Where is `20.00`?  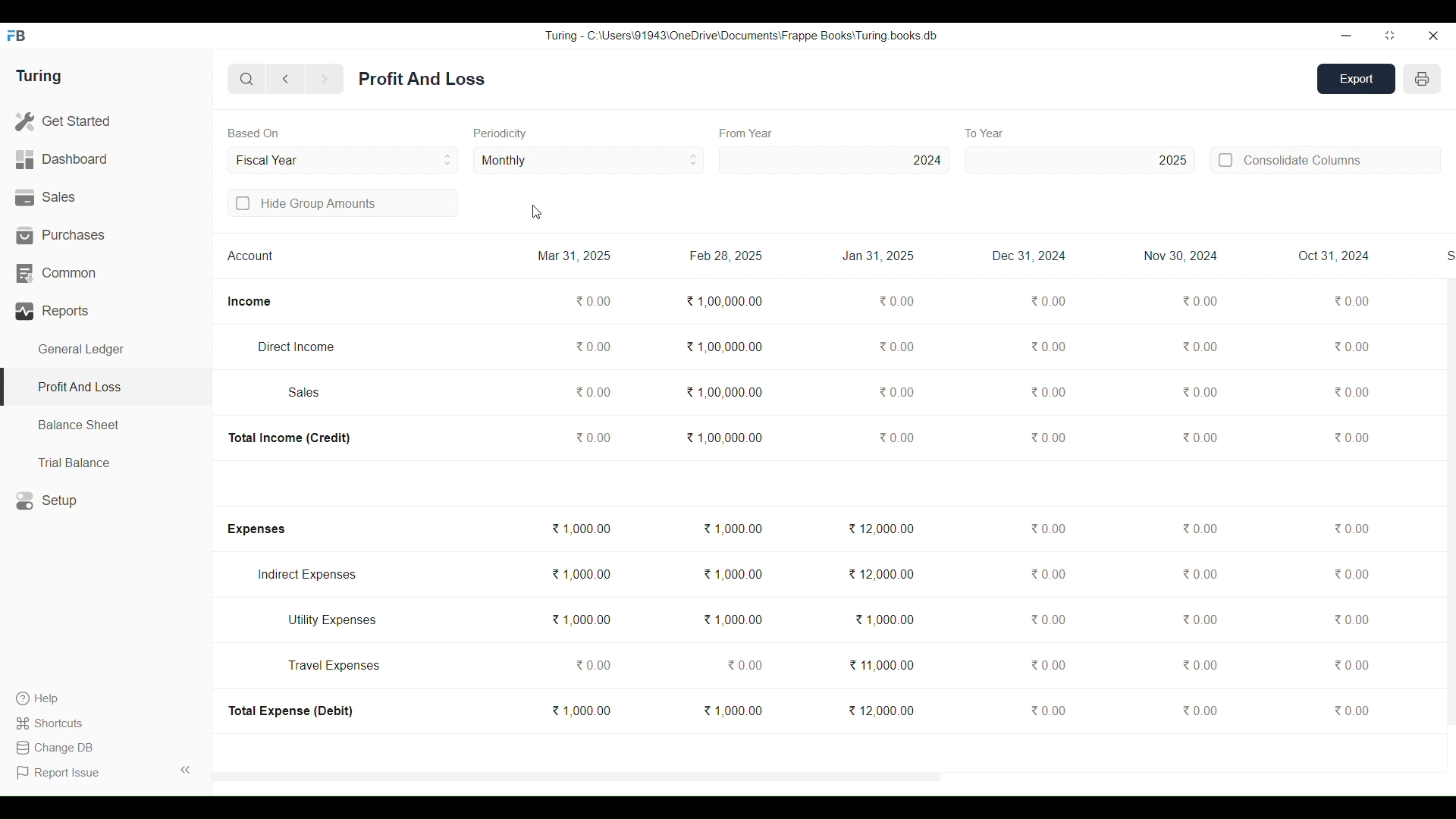 20.00 is located at coordinates (1351, 347).